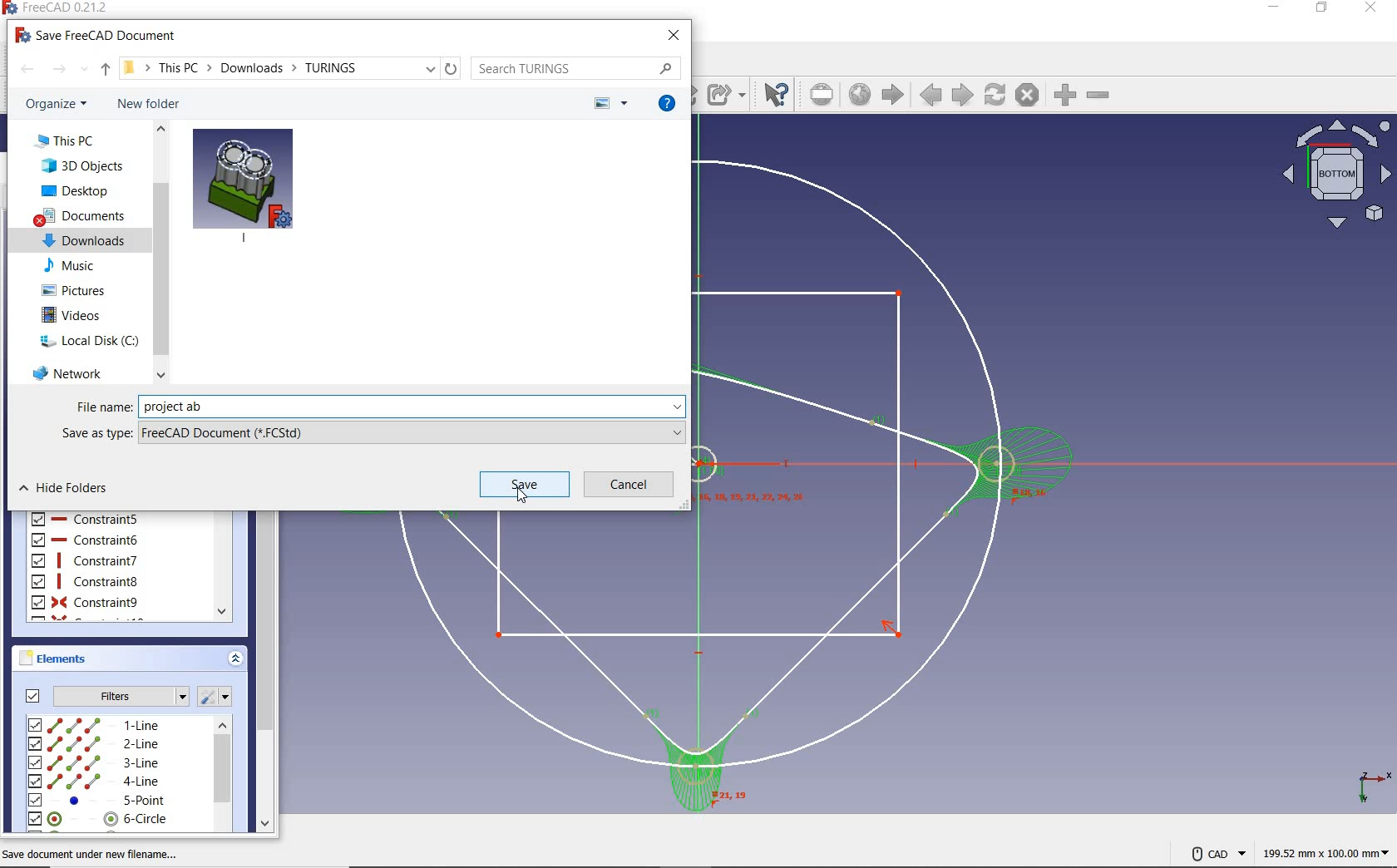  What do you see at coordinates (161, 251) in the screenshot?
I see `scroll bar` at bounding box center [161, 251].